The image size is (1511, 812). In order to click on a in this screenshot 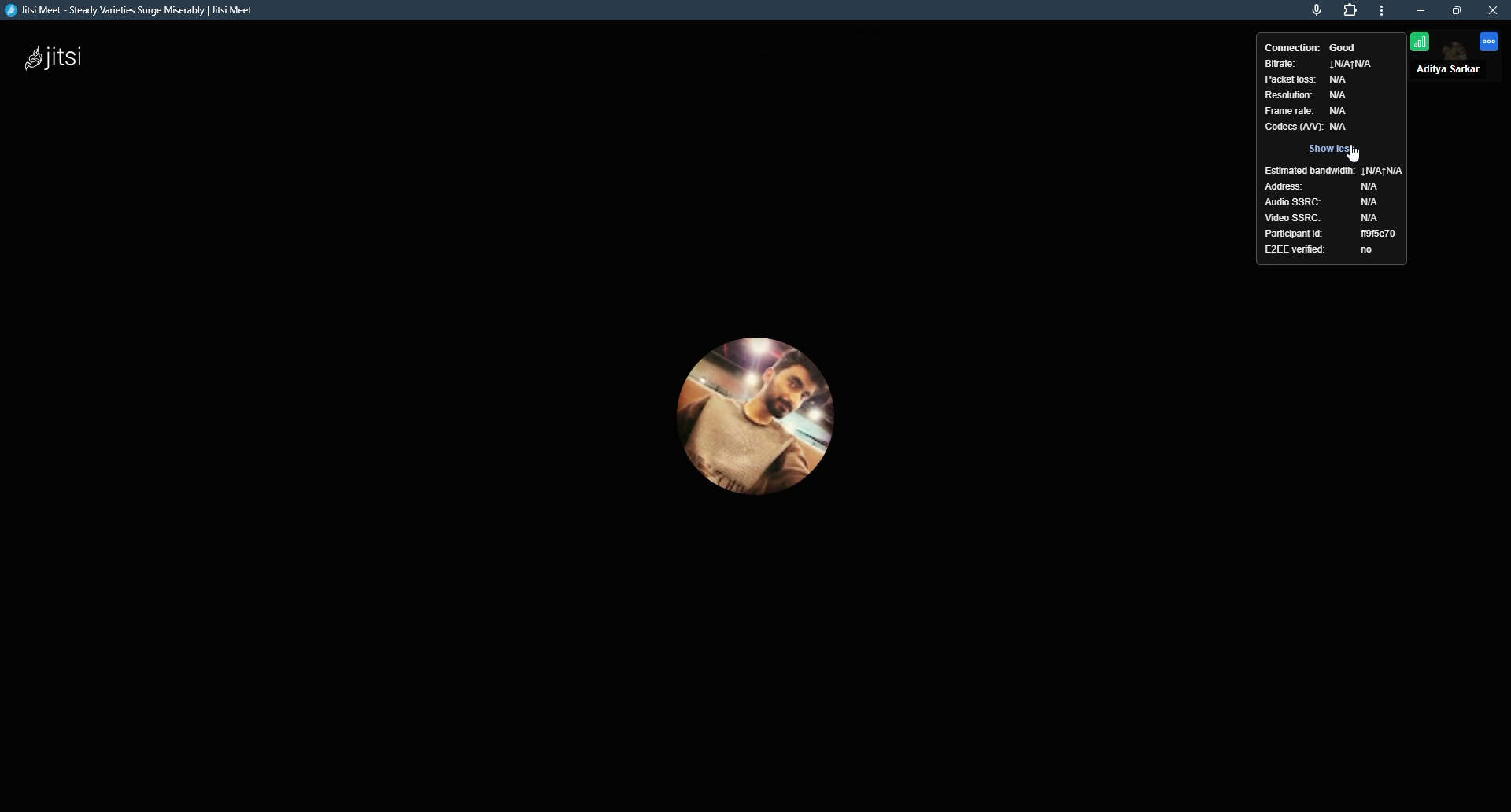, I will do `click(1344, 127)`.